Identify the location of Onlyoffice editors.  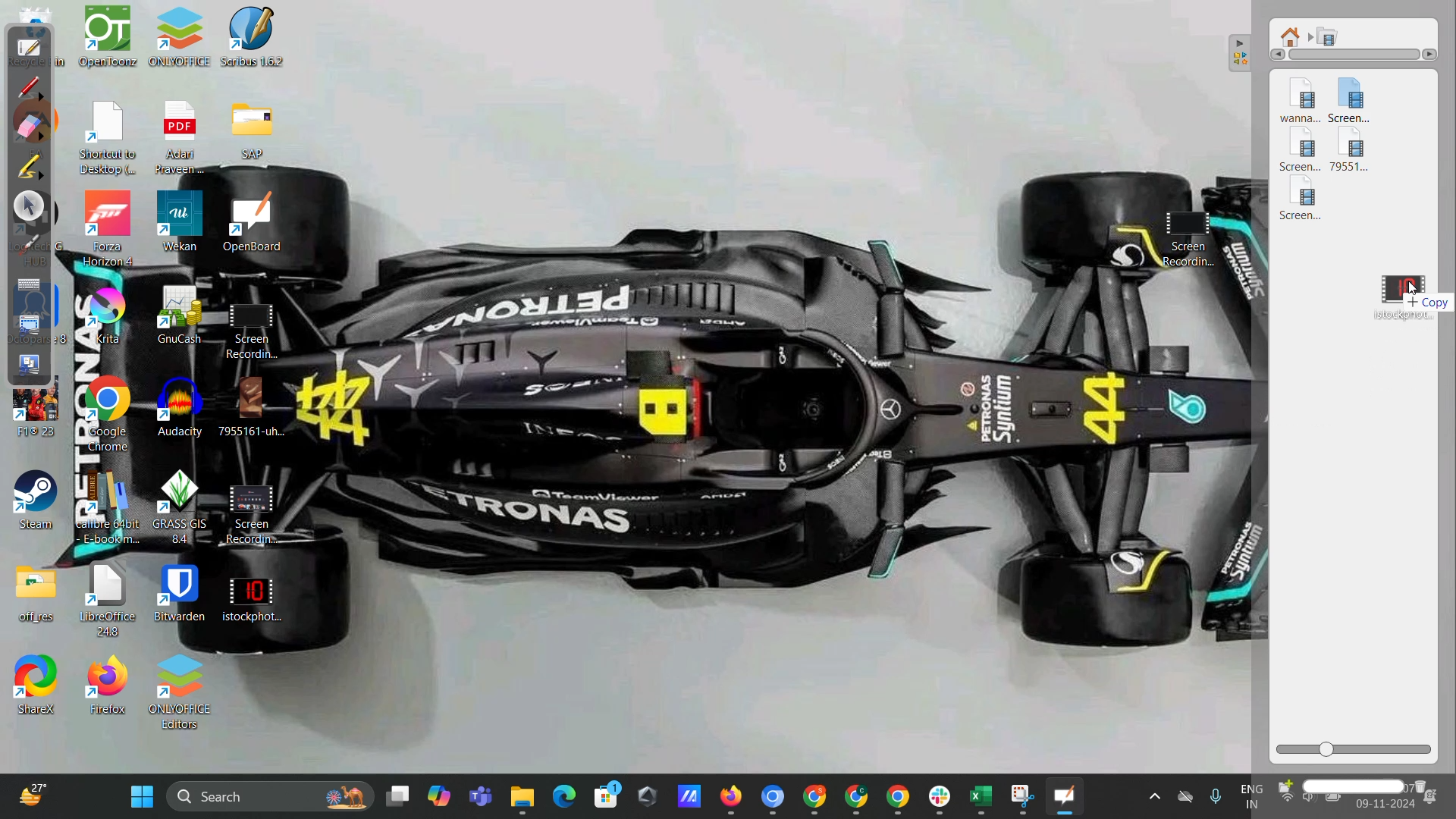
(186, 692).